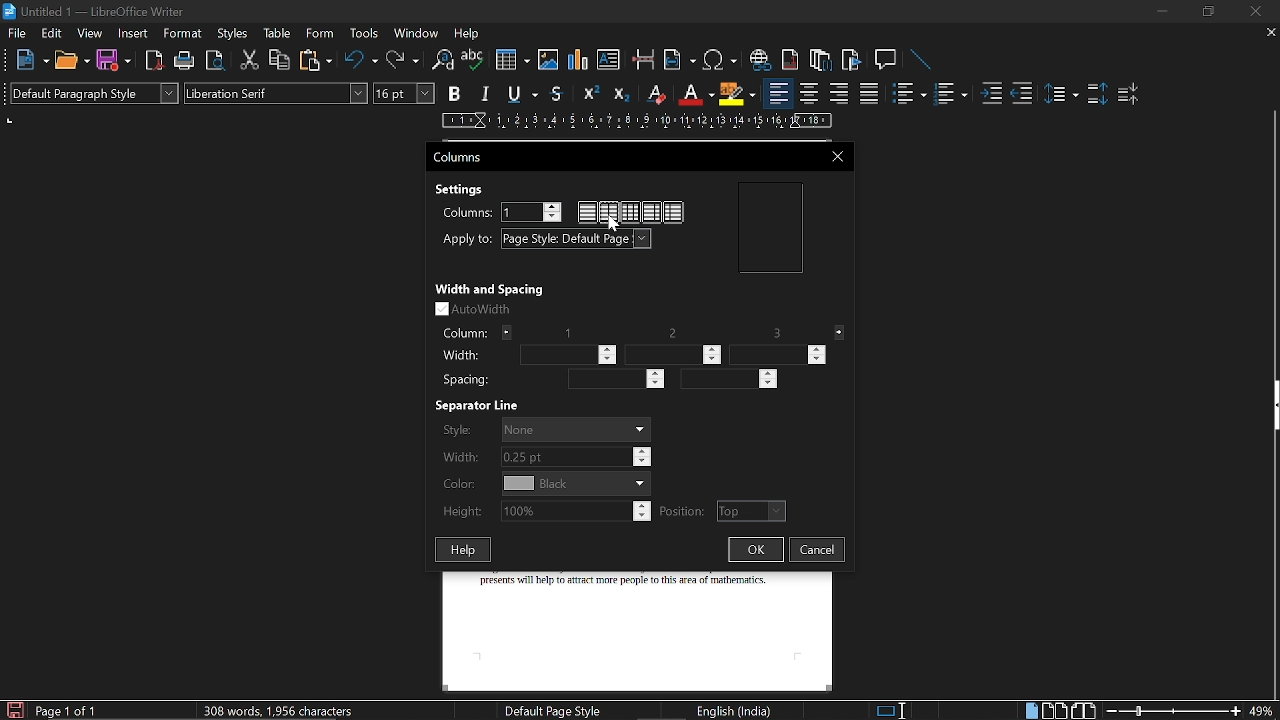 Image resolution: width=1280 pixels, height=720 pixels. What do you see at coordinates (52, 33) in the screenshot?
I see `Edit` at bounding box center [52, 33].